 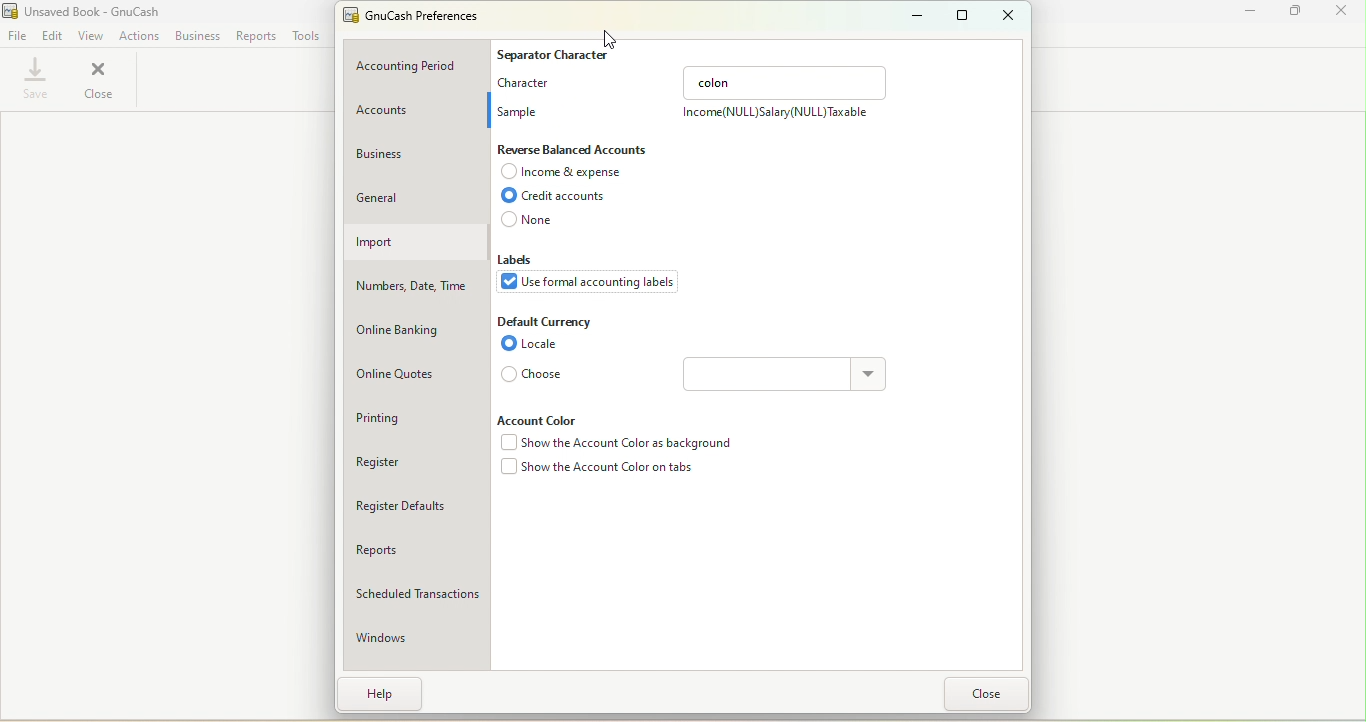 I want to click on File name, so click(x=84, y=10).